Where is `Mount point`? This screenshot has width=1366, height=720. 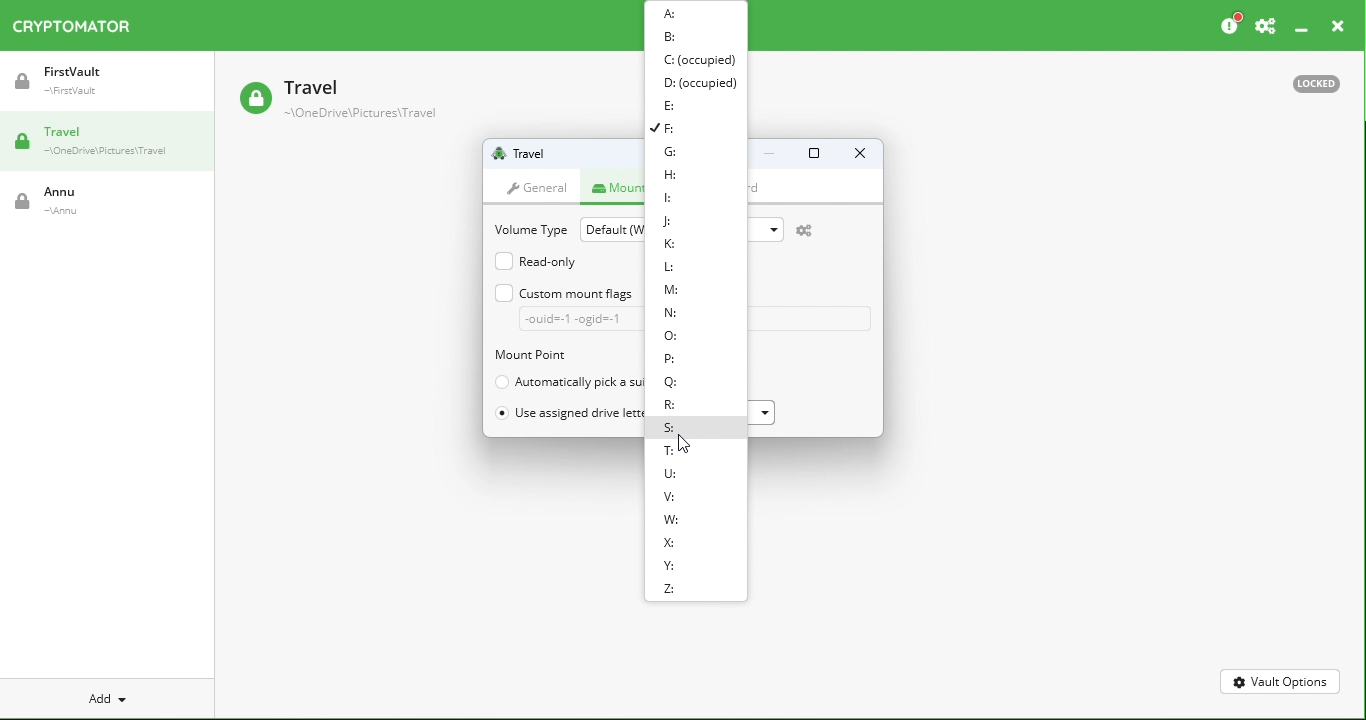
Mount point is located at coordinates (556, 356).